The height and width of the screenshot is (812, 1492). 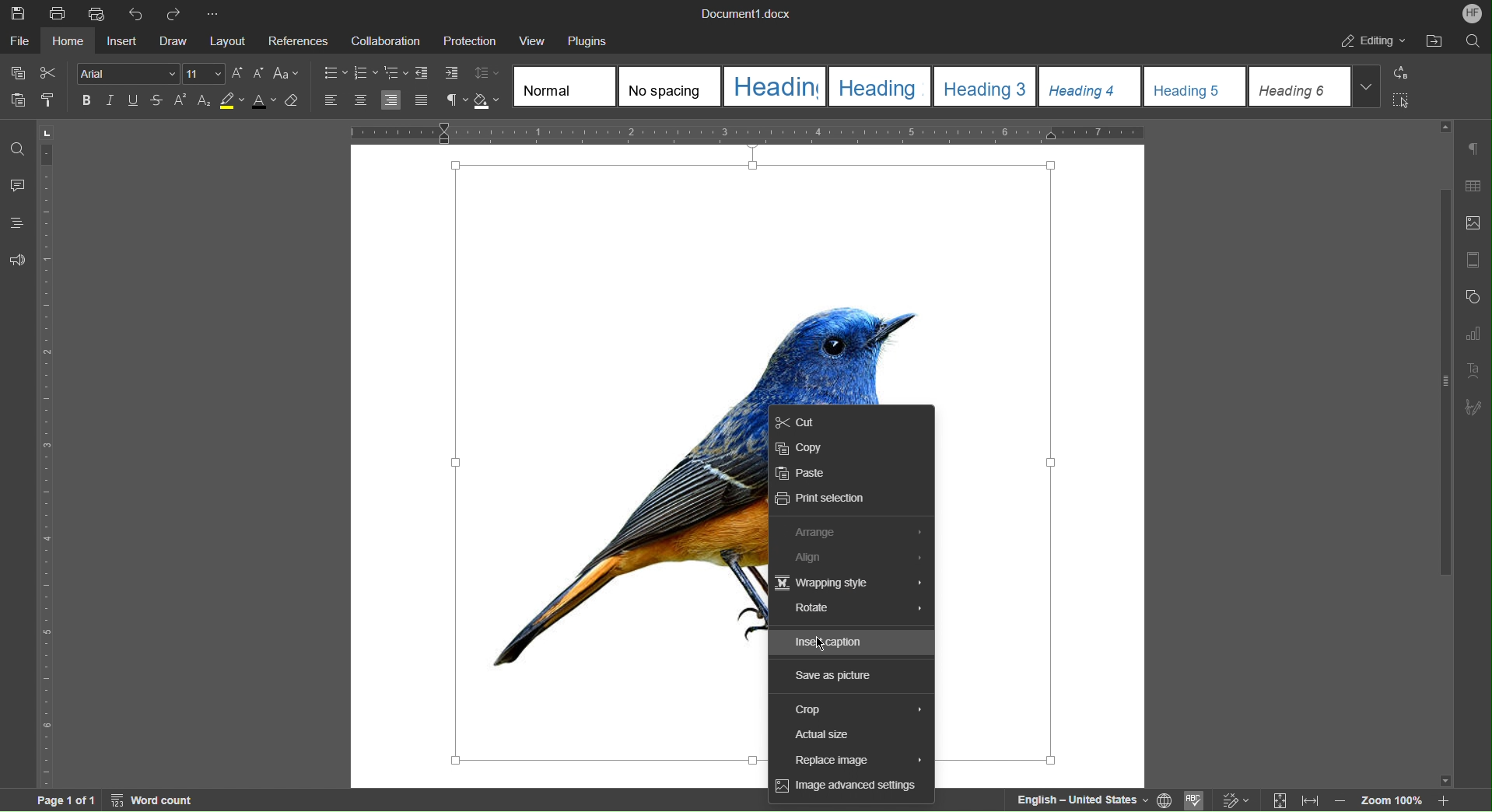 I want to click on Arrange, so click(x=852, y=528).